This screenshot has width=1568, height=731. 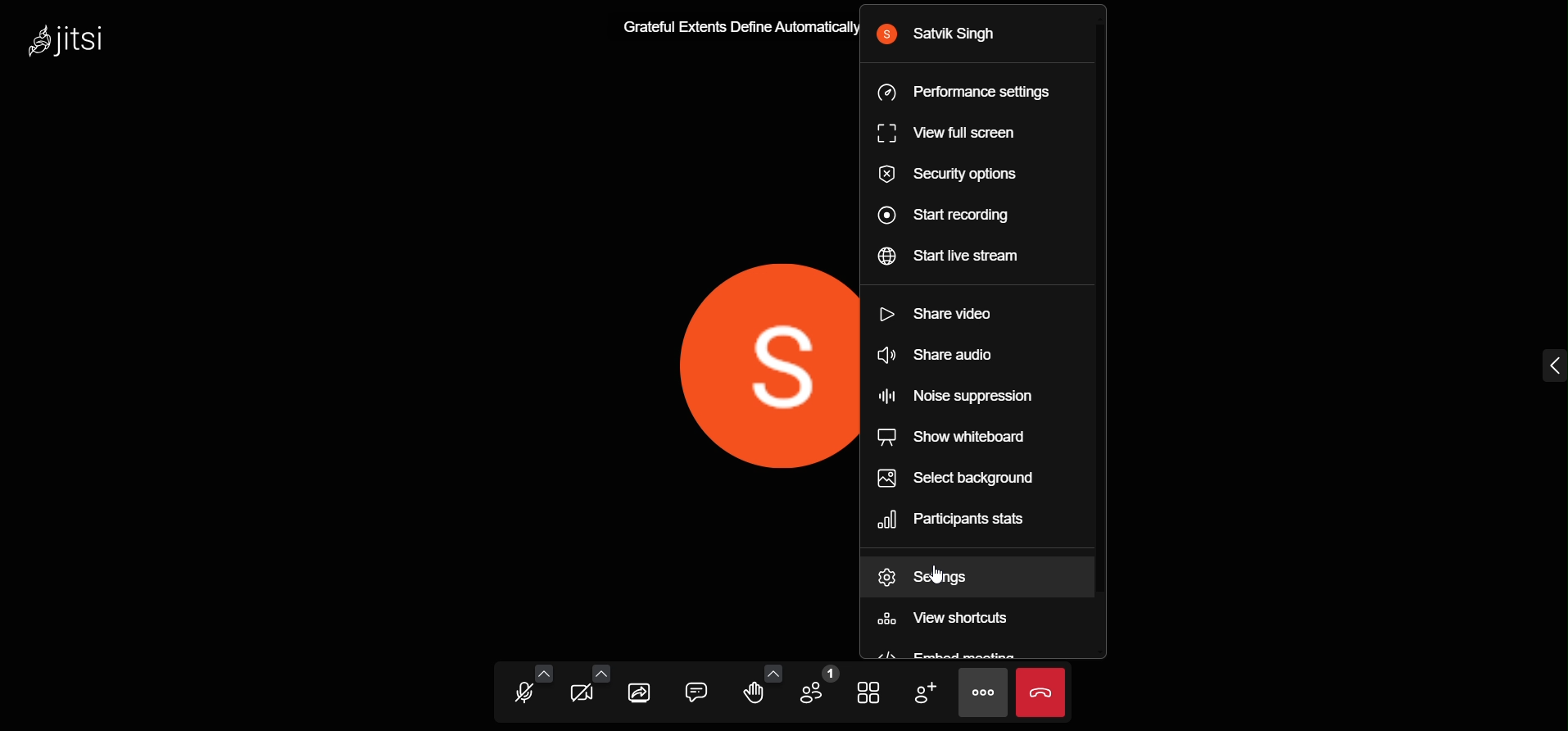 What do you see at coordinates (955, 178) in the screenshot?
I see `security options` at bounding box center [955, 178].